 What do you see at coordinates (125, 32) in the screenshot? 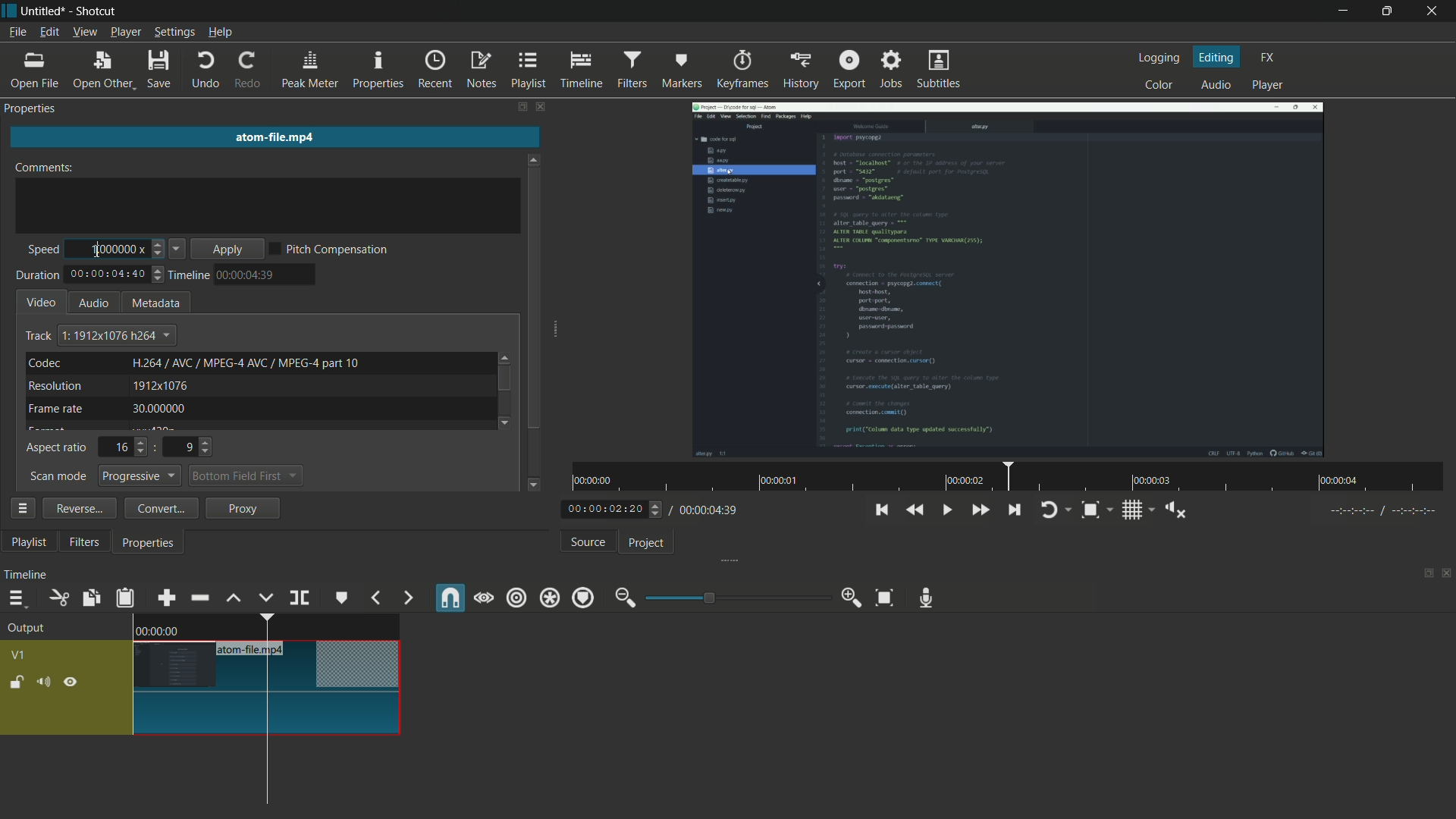
I see `player menu` at bounding box center [125, 32].